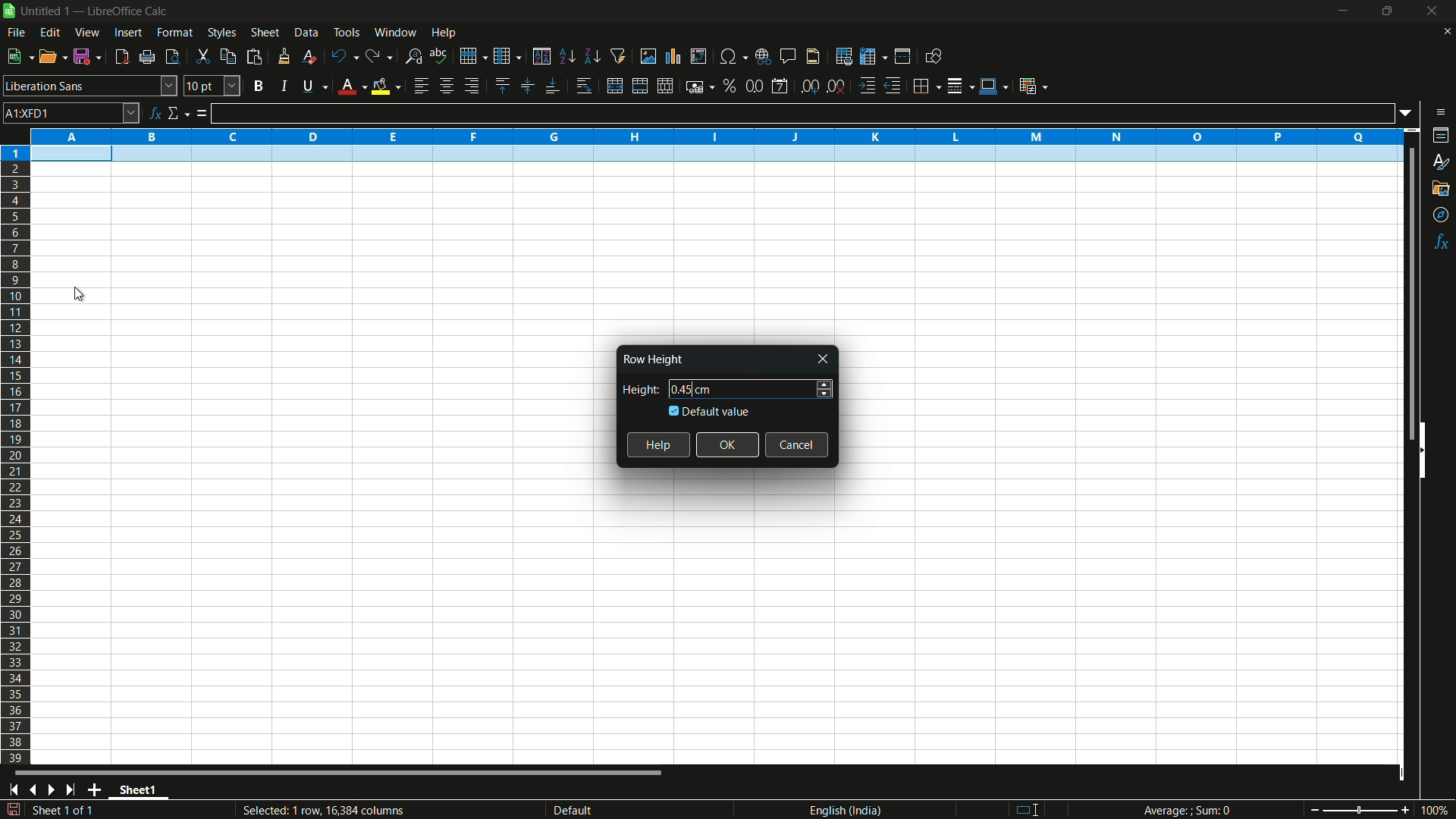 This screenshot has width=1456, height=819. What do you see at coordinates (824, 395) in the screenshot?
I see `decrease height` at bounding box center [824, 395].